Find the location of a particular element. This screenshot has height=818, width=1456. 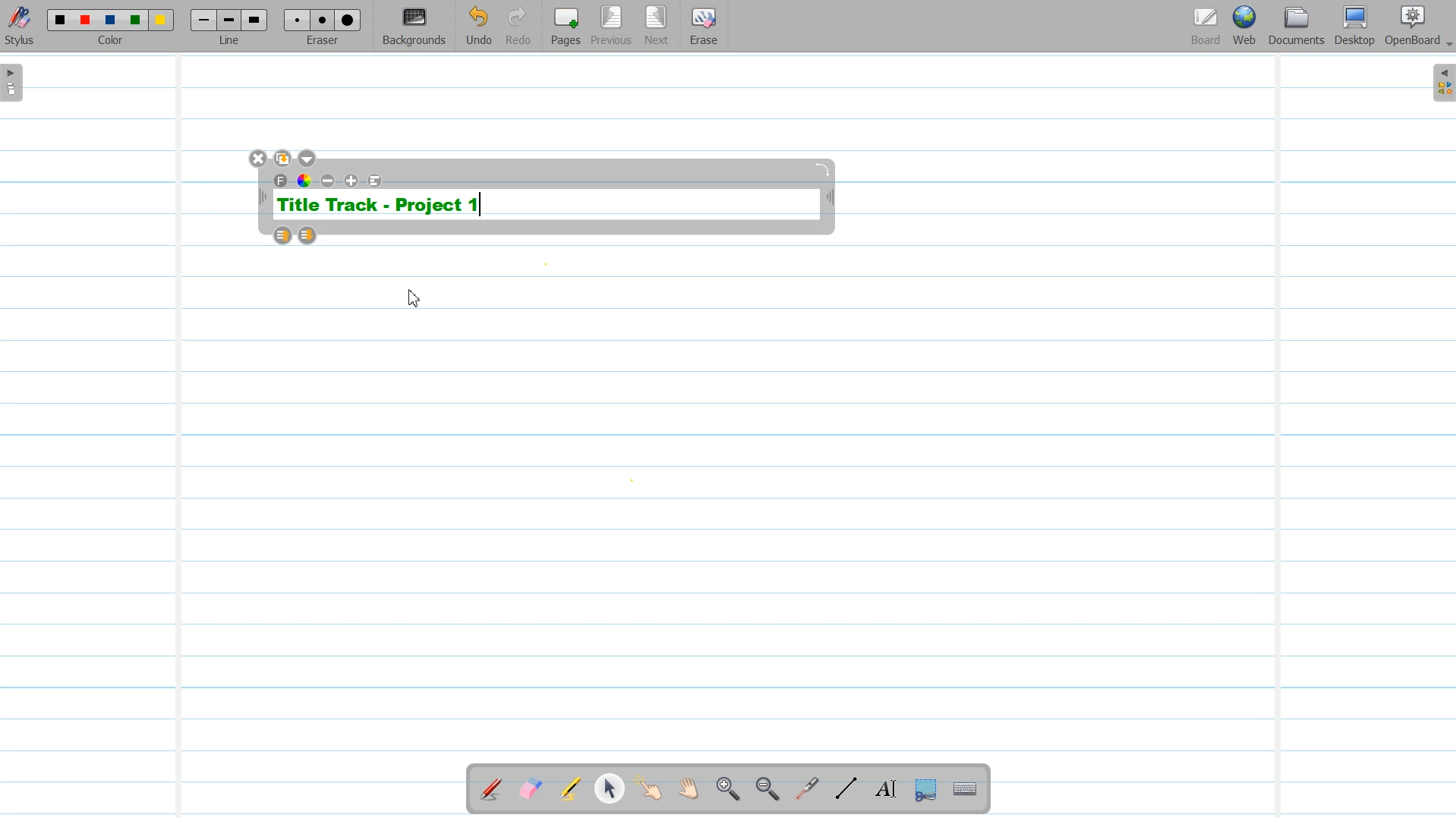

Cursor is located at coordinates (415, 298).